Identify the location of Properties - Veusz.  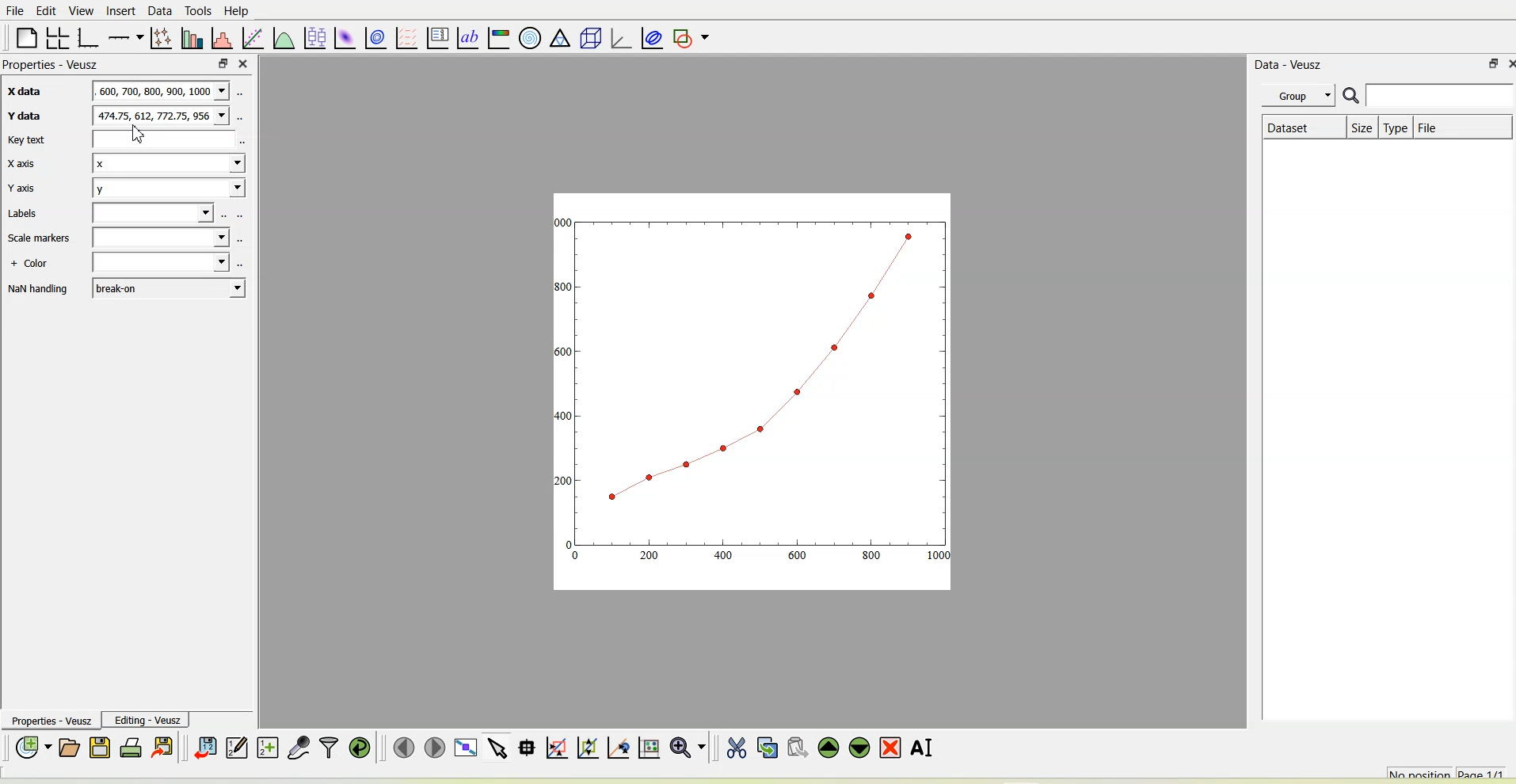
(48, 720).